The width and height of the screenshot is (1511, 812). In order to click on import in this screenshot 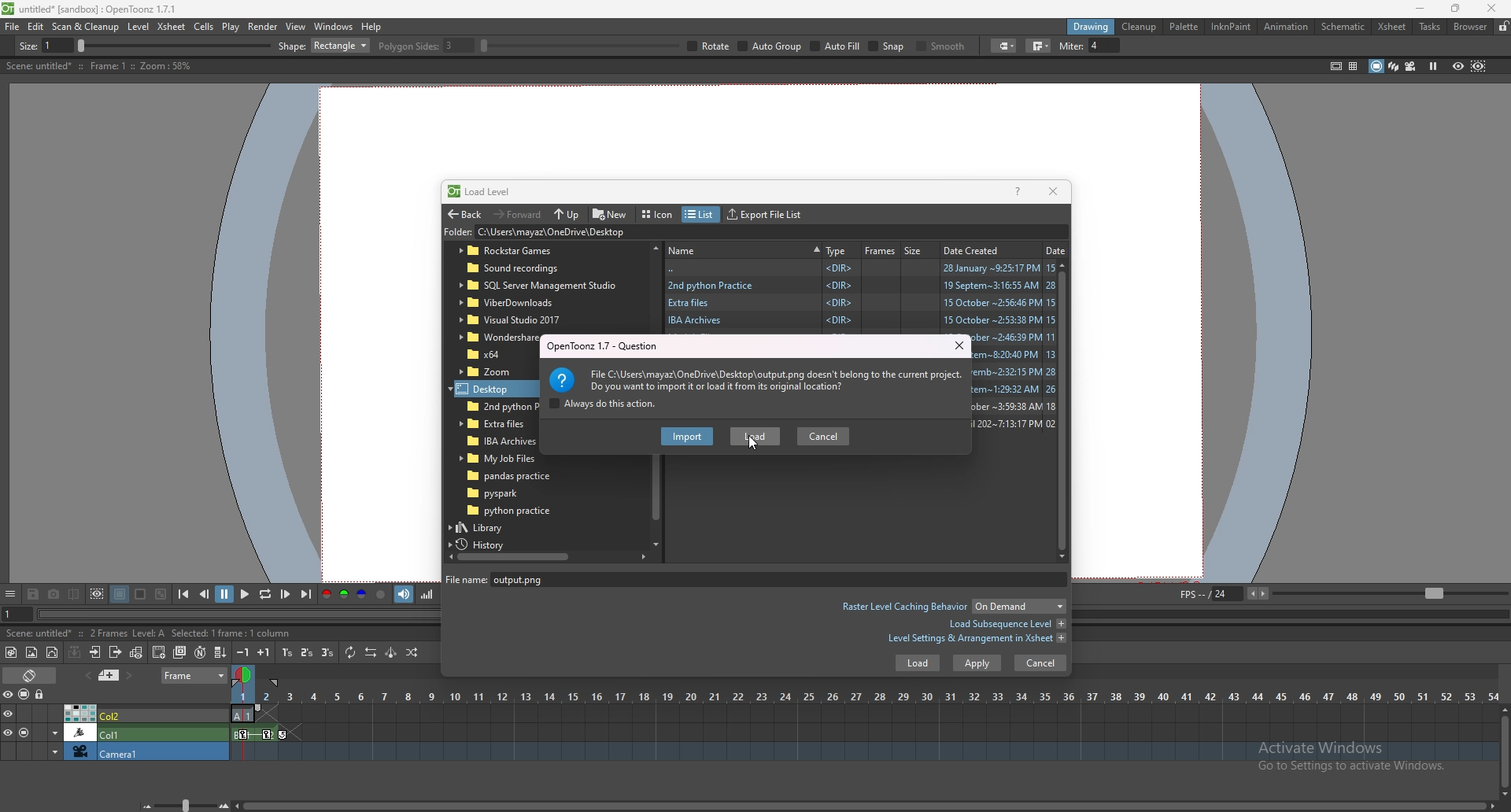, I will do `click(689, 437)`.